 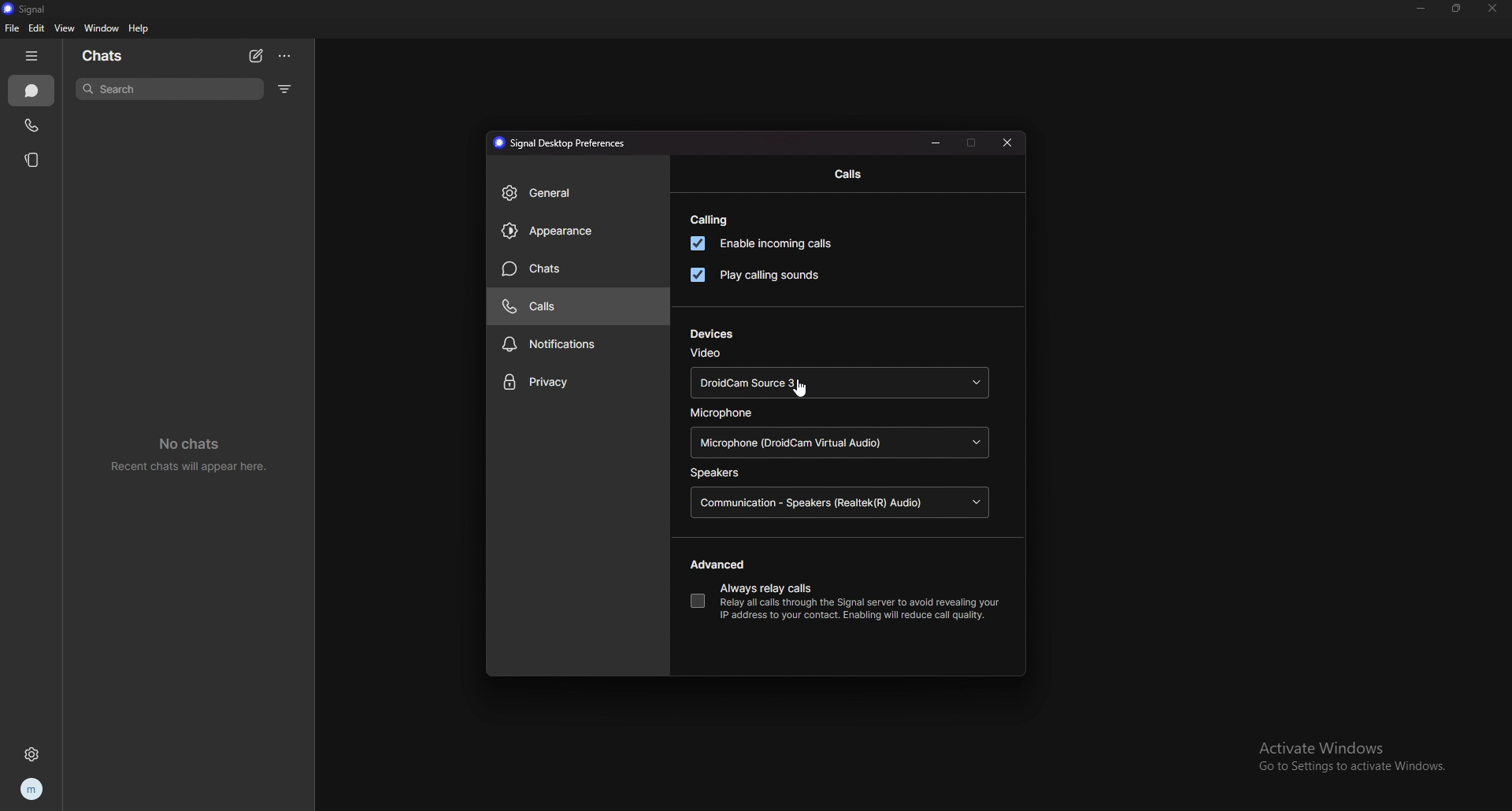 I want to click on stories, so click(x=32, y=159).